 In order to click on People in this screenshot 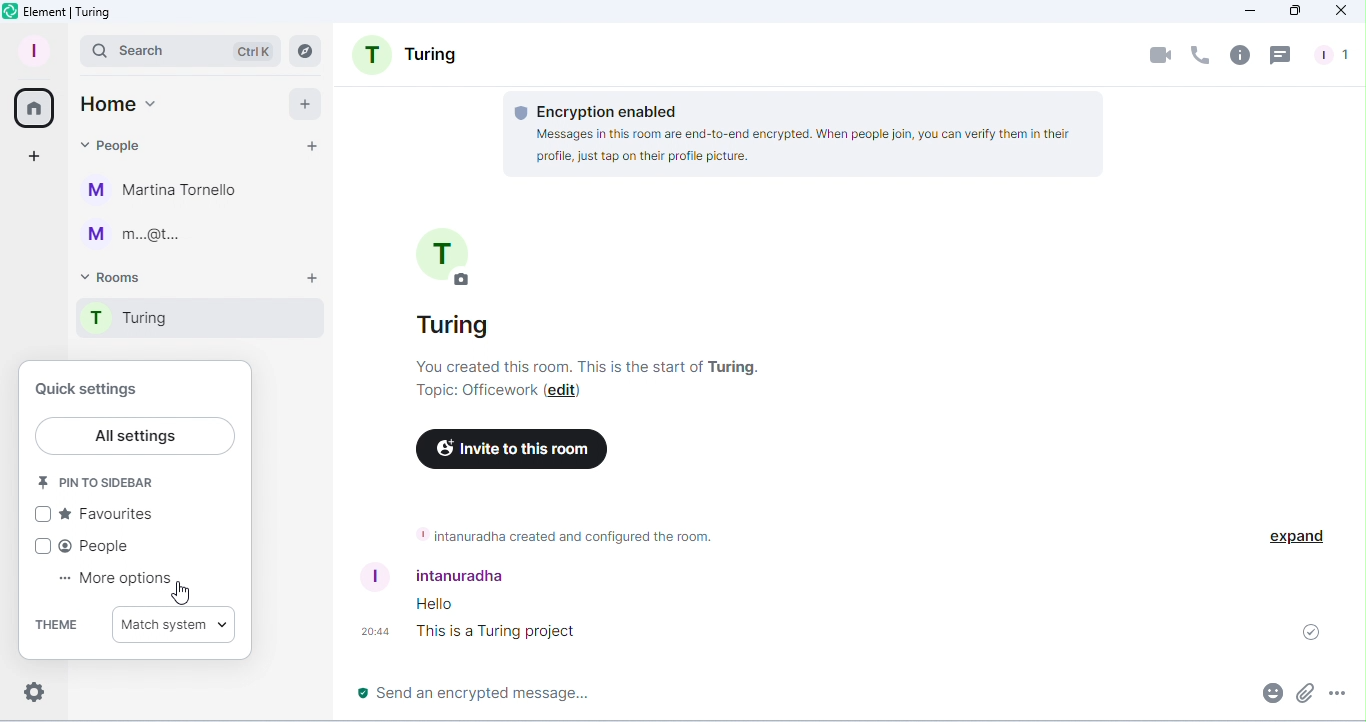, I will do `click(96, 548)`.